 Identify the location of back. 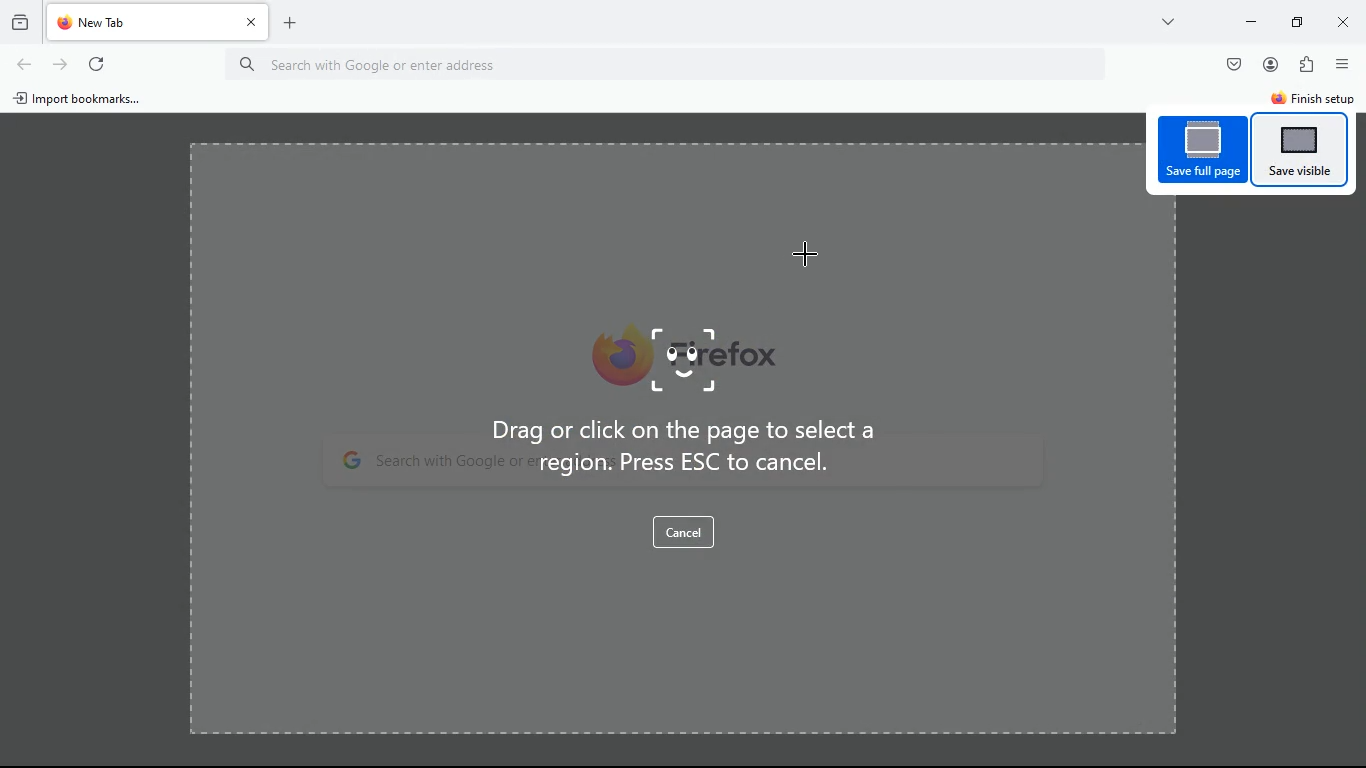
(25, 66).